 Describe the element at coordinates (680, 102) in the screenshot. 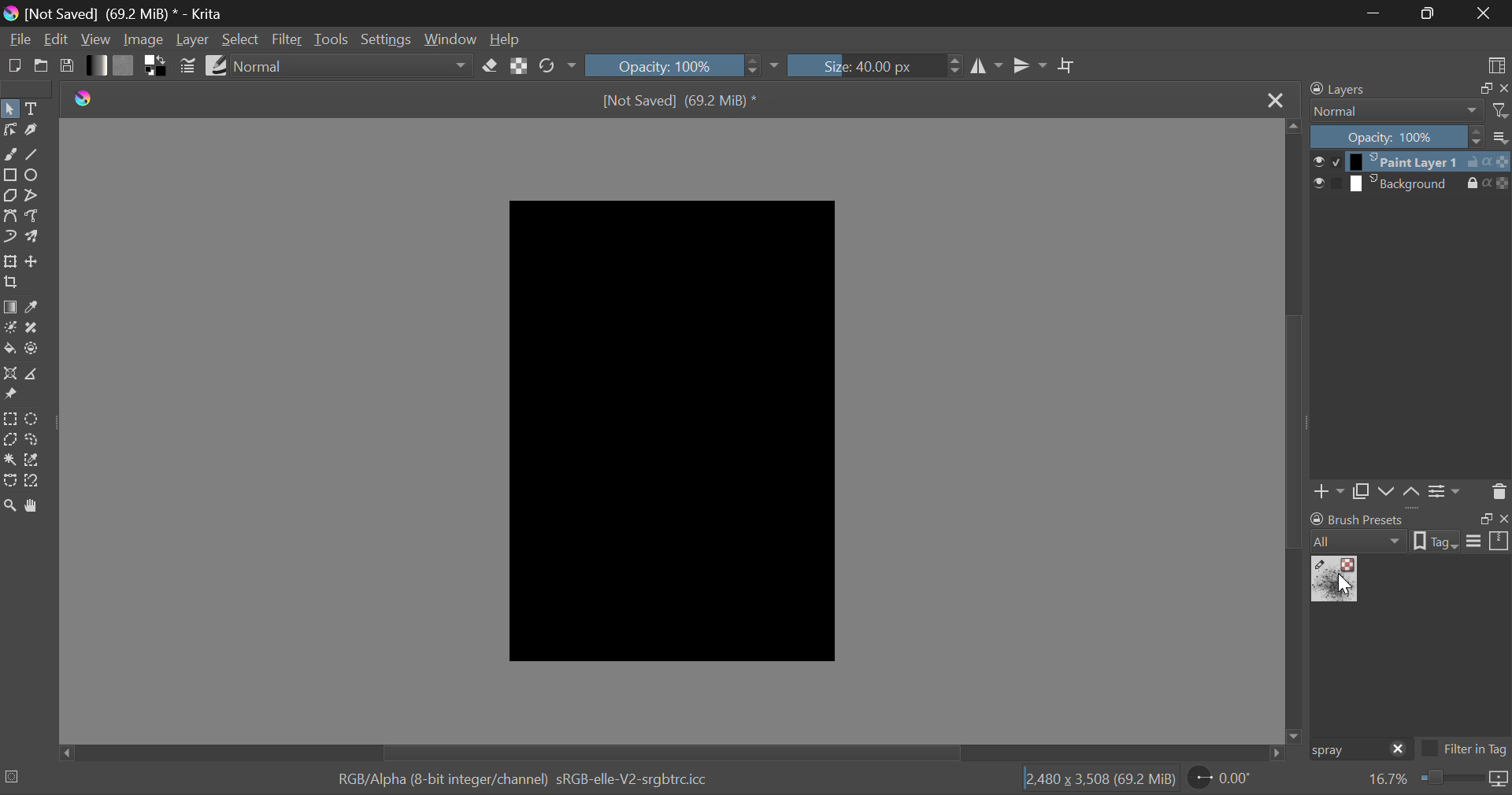

I see `[Not Saved] (69.2 MiB) *` at that location.